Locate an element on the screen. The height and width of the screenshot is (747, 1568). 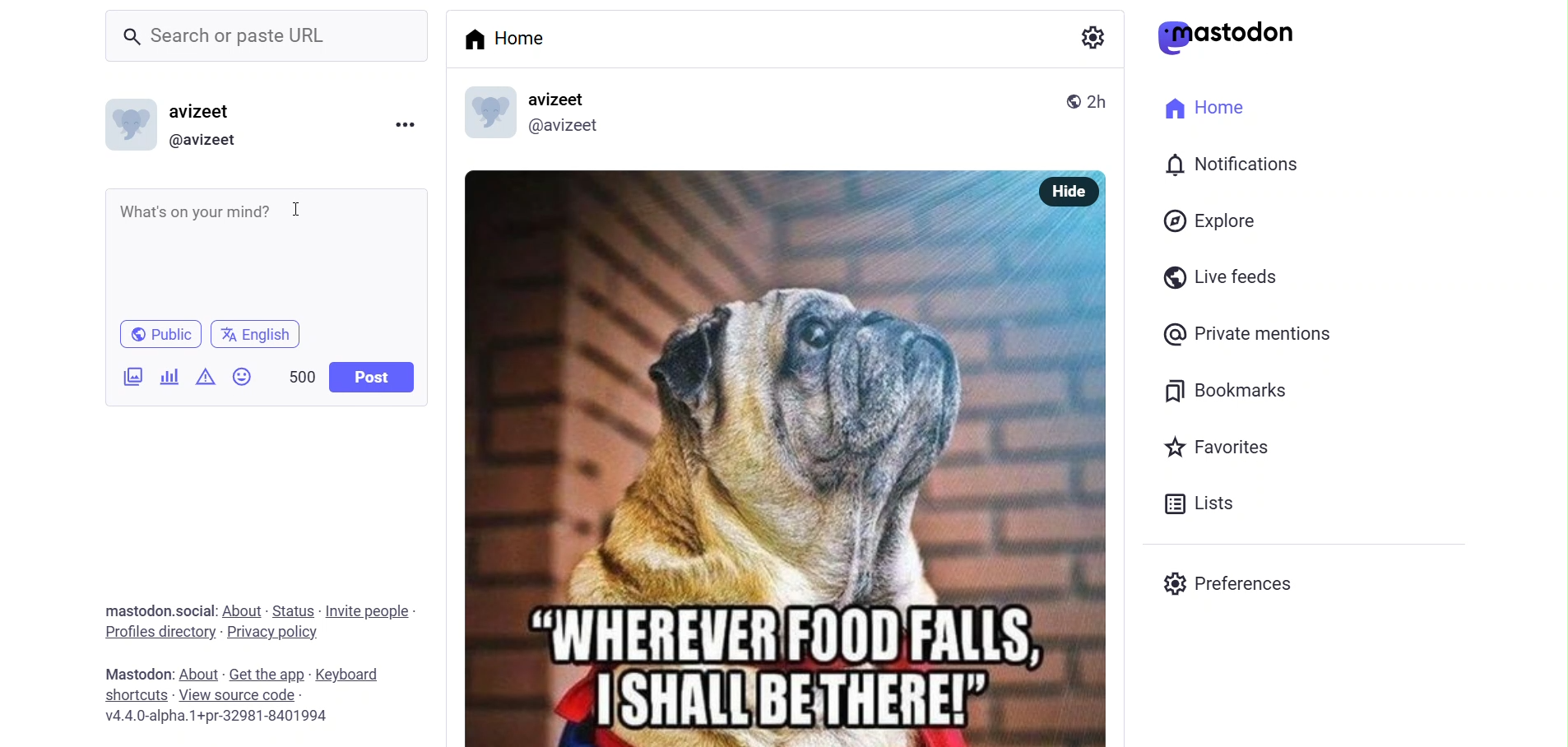
privacy policy is located at coordinates (272, 633).